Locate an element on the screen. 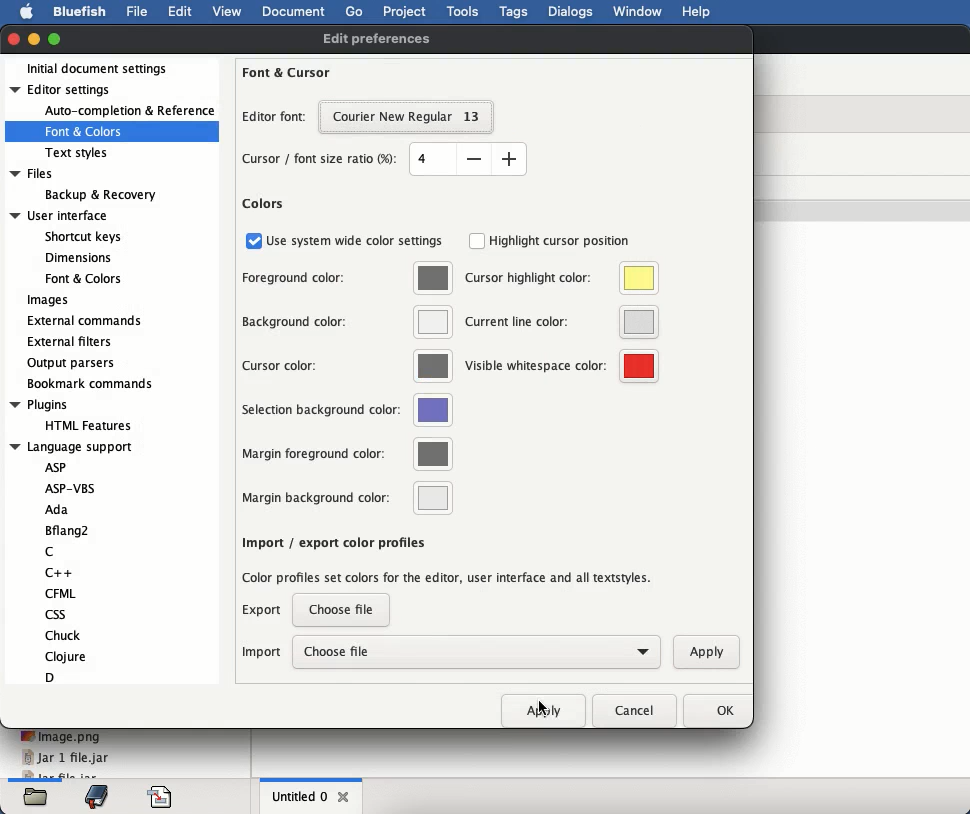 The width and height of the screenshot is (970, 814). files is located at coordinates (84, 185).